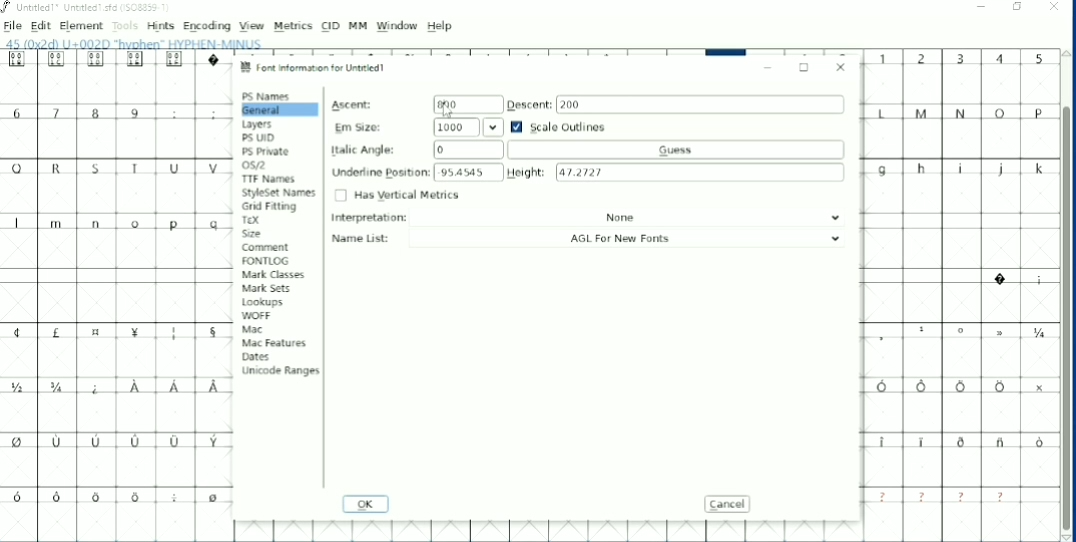  I want to click on Title , so click(89, 8).